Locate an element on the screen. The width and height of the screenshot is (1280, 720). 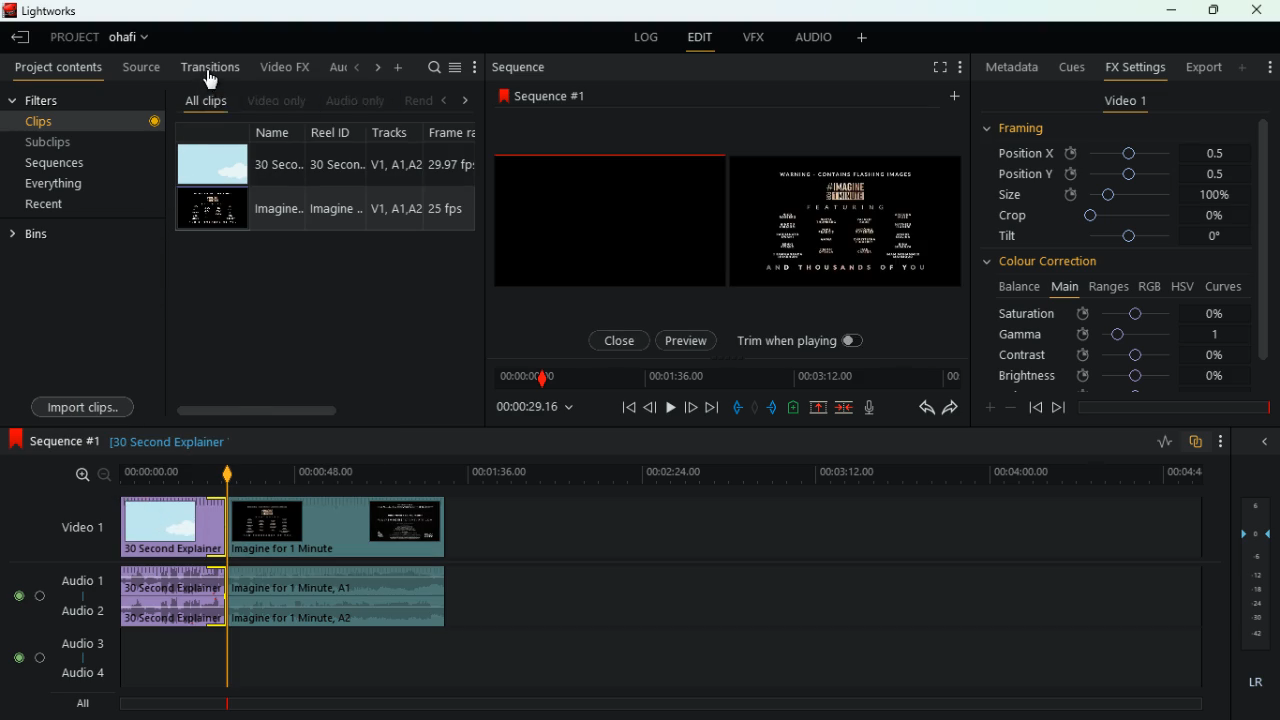
more is located at coordinates (475, 67).